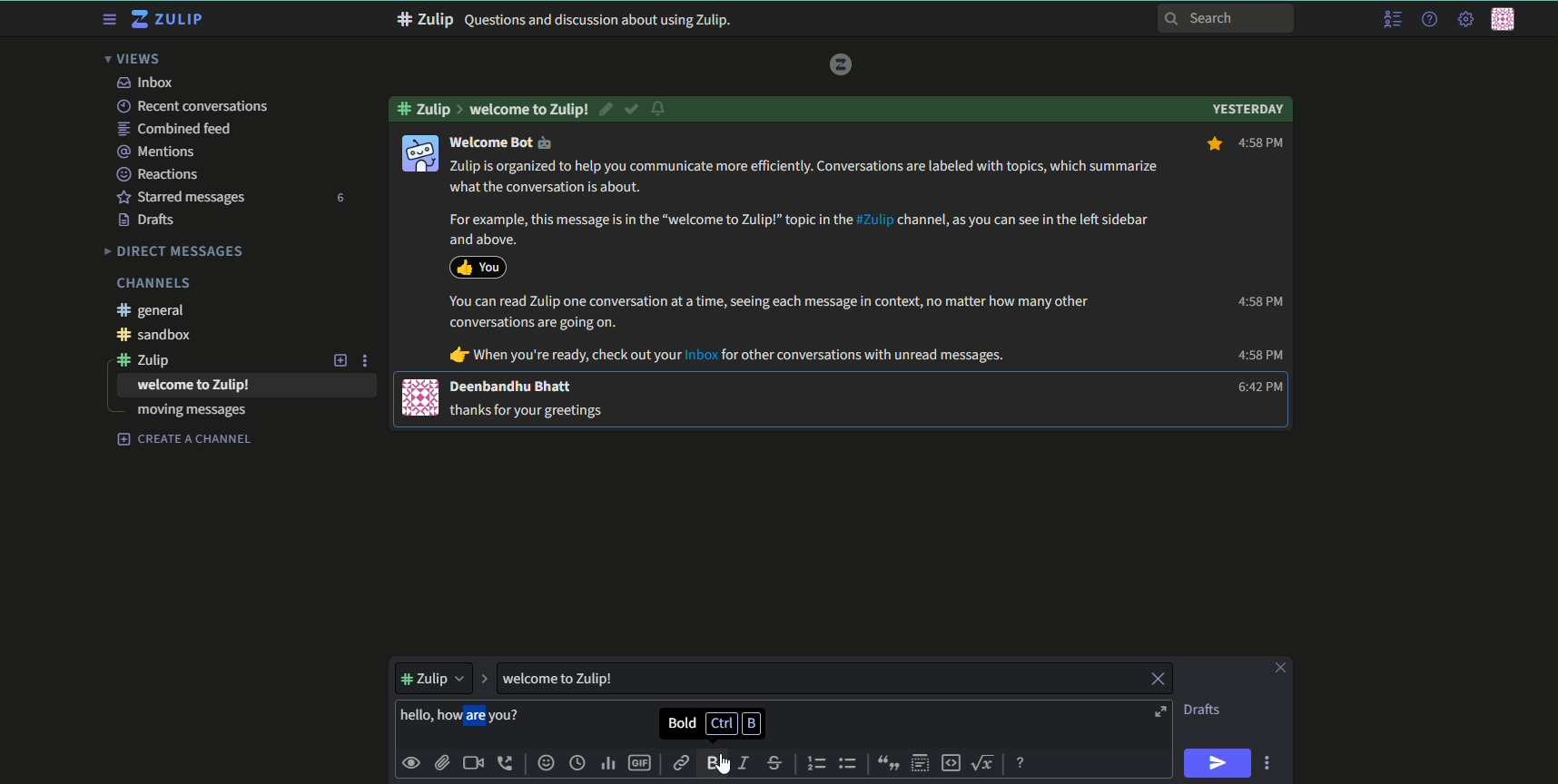 This screenshot has width=1558, height=784. What do you see at coordinates (484, 677) in the screenshot?
I see `expand` at bounding box center [484, 677].